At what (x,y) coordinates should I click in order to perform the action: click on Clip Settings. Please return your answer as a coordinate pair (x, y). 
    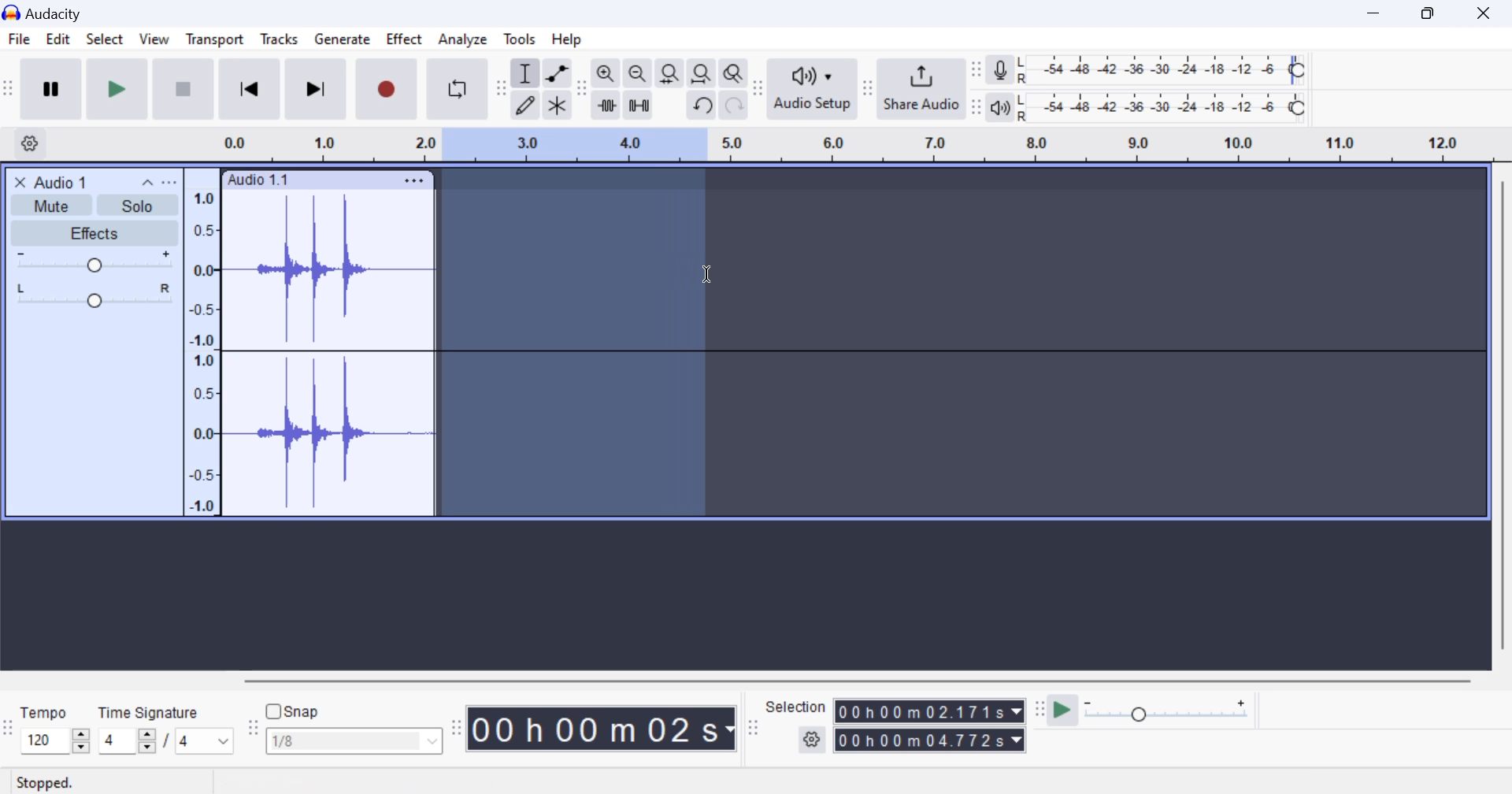
    Looking at the image, I should click on (414, 180).